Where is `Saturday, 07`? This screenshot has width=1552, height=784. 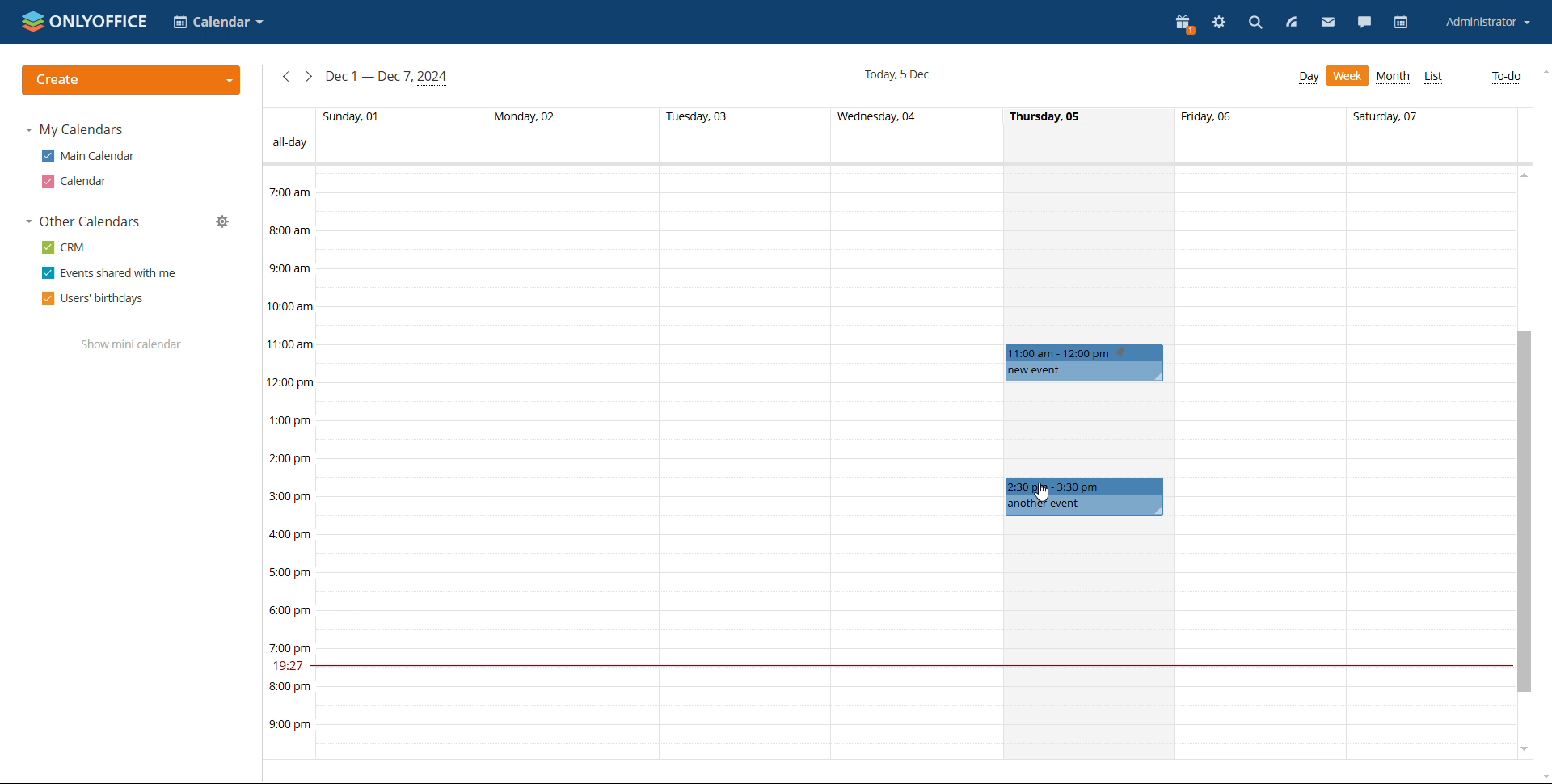 Saturday, 07 is located at coordinates (1385, 117).